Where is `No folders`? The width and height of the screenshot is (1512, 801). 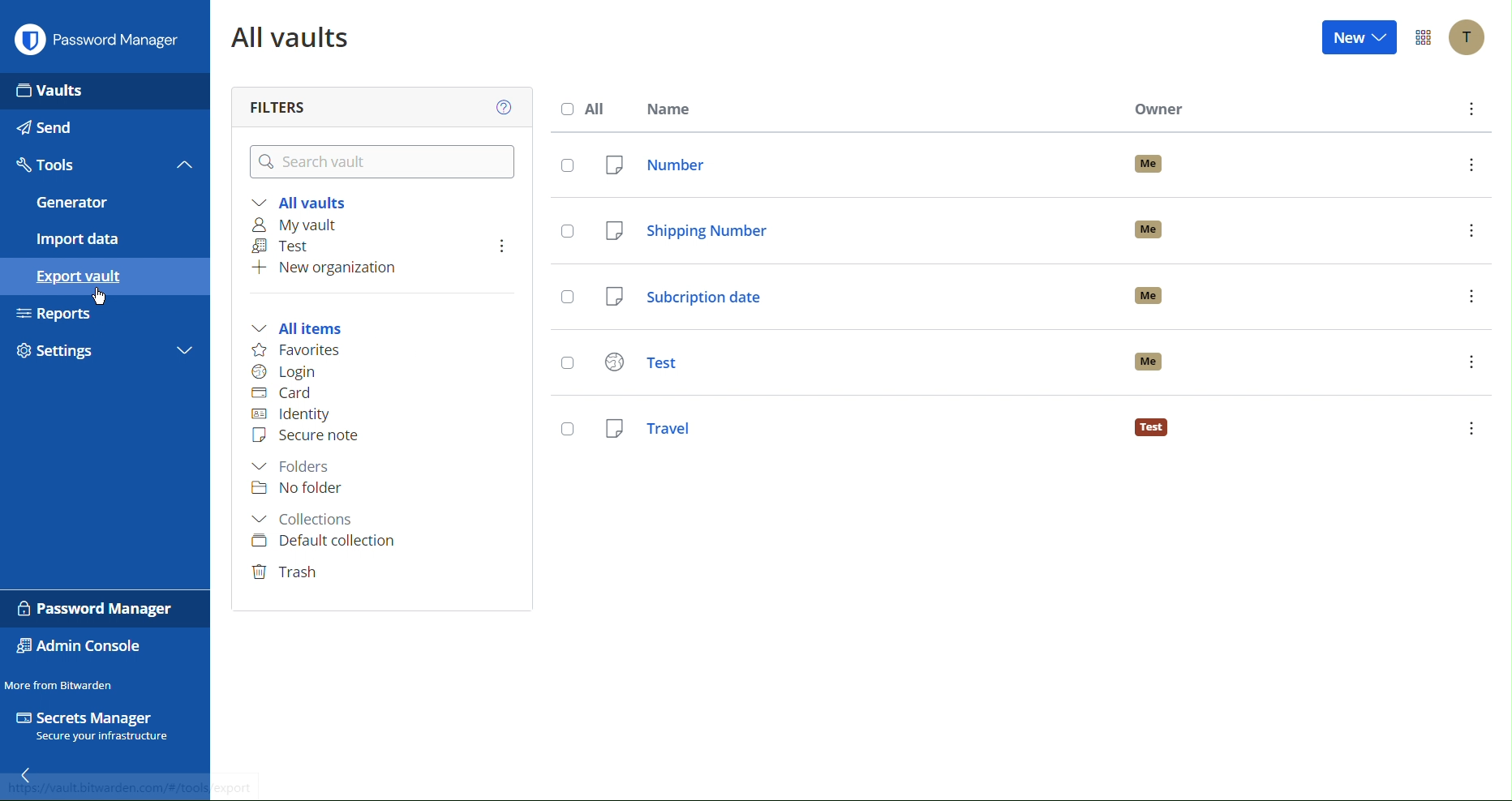 No folders is located at coordinates (300, 490).